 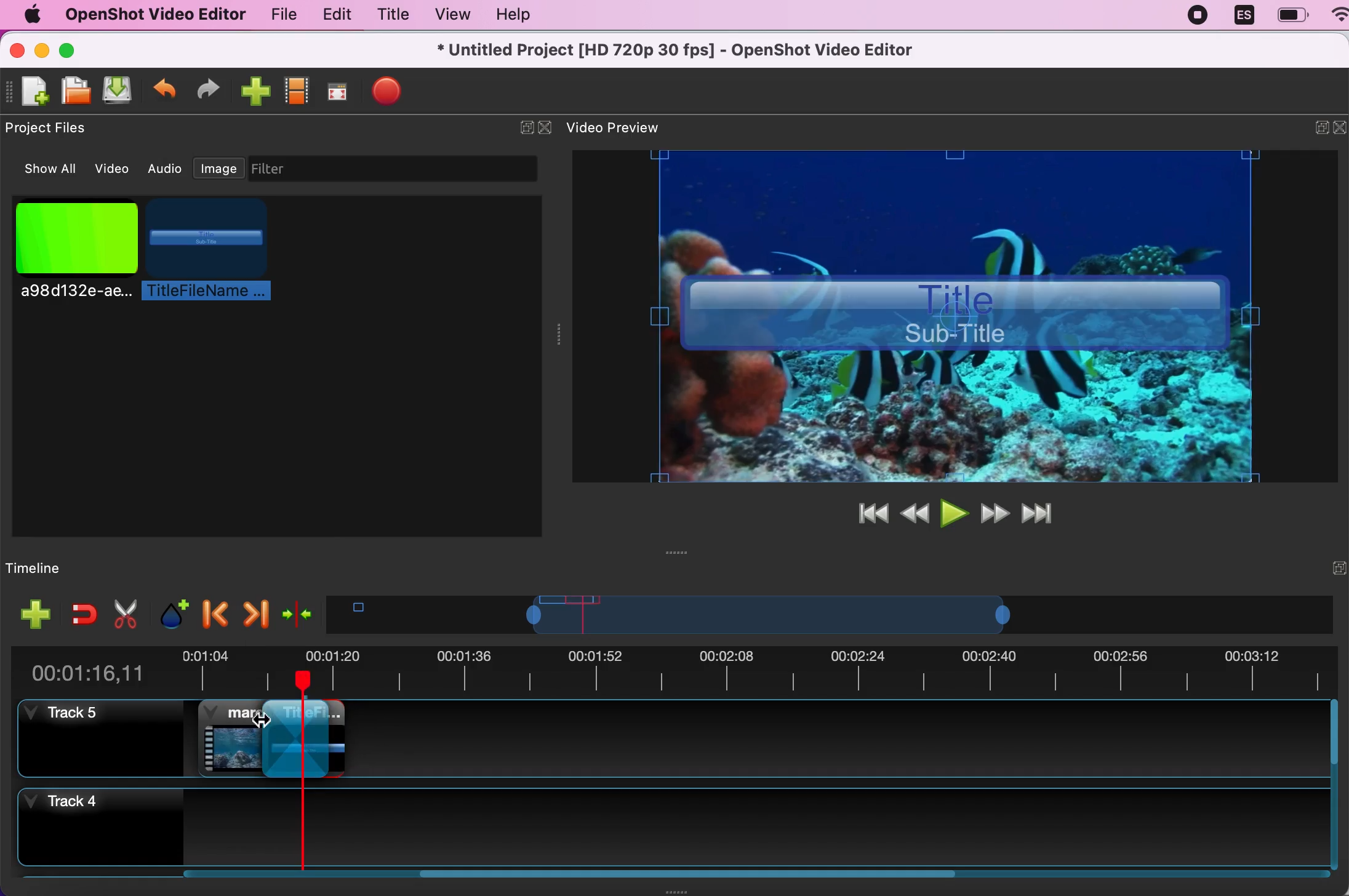 I want to click on recording stopped, so click(x=1199, y=18).